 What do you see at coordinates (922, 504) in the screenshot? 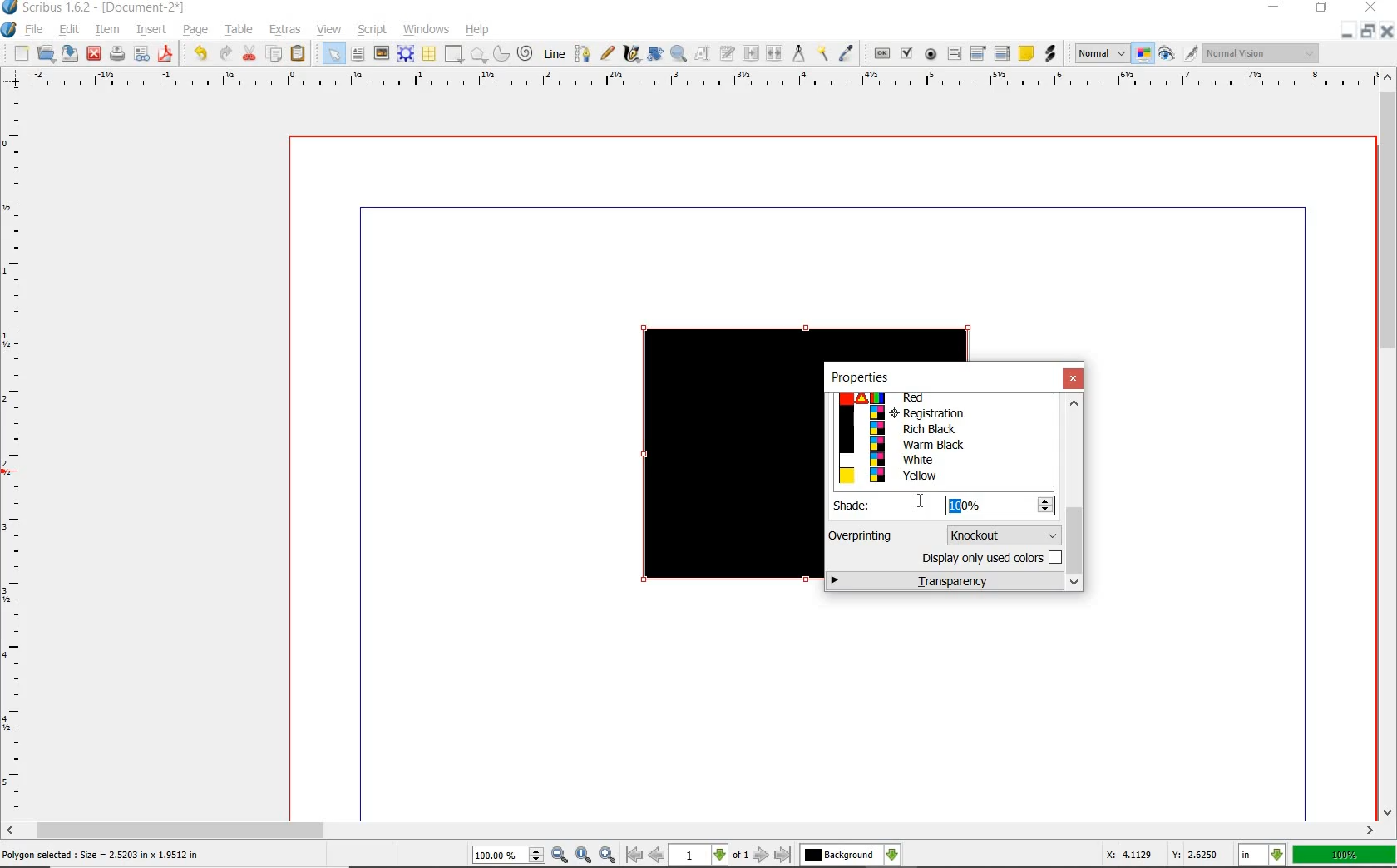
I see `cursor` at bounding box center [922, 504].